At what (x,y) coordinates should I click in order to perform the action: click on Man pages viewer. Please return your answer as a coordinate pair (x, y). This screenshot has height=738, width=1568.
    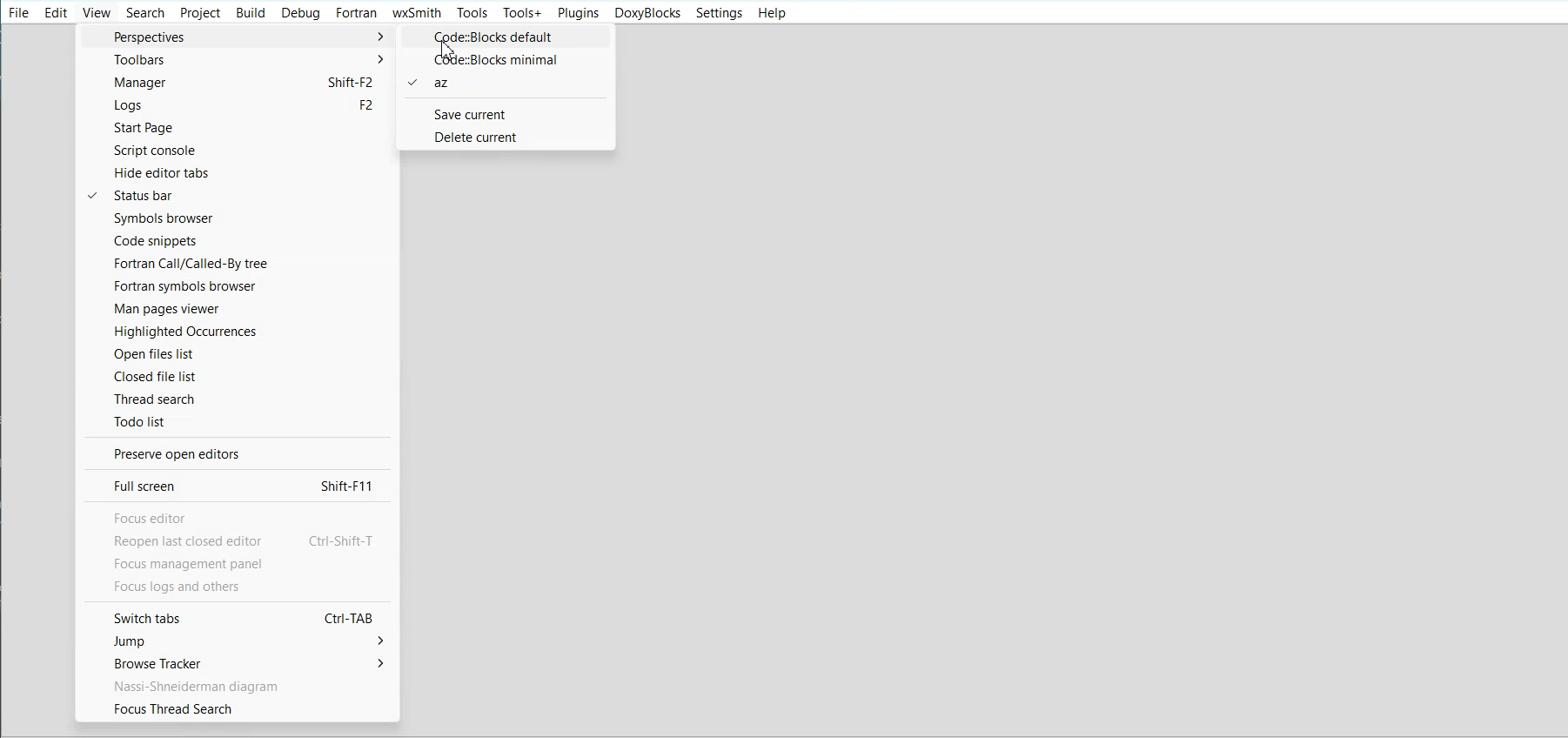
    Looking at the image, I should click on (236, 308).